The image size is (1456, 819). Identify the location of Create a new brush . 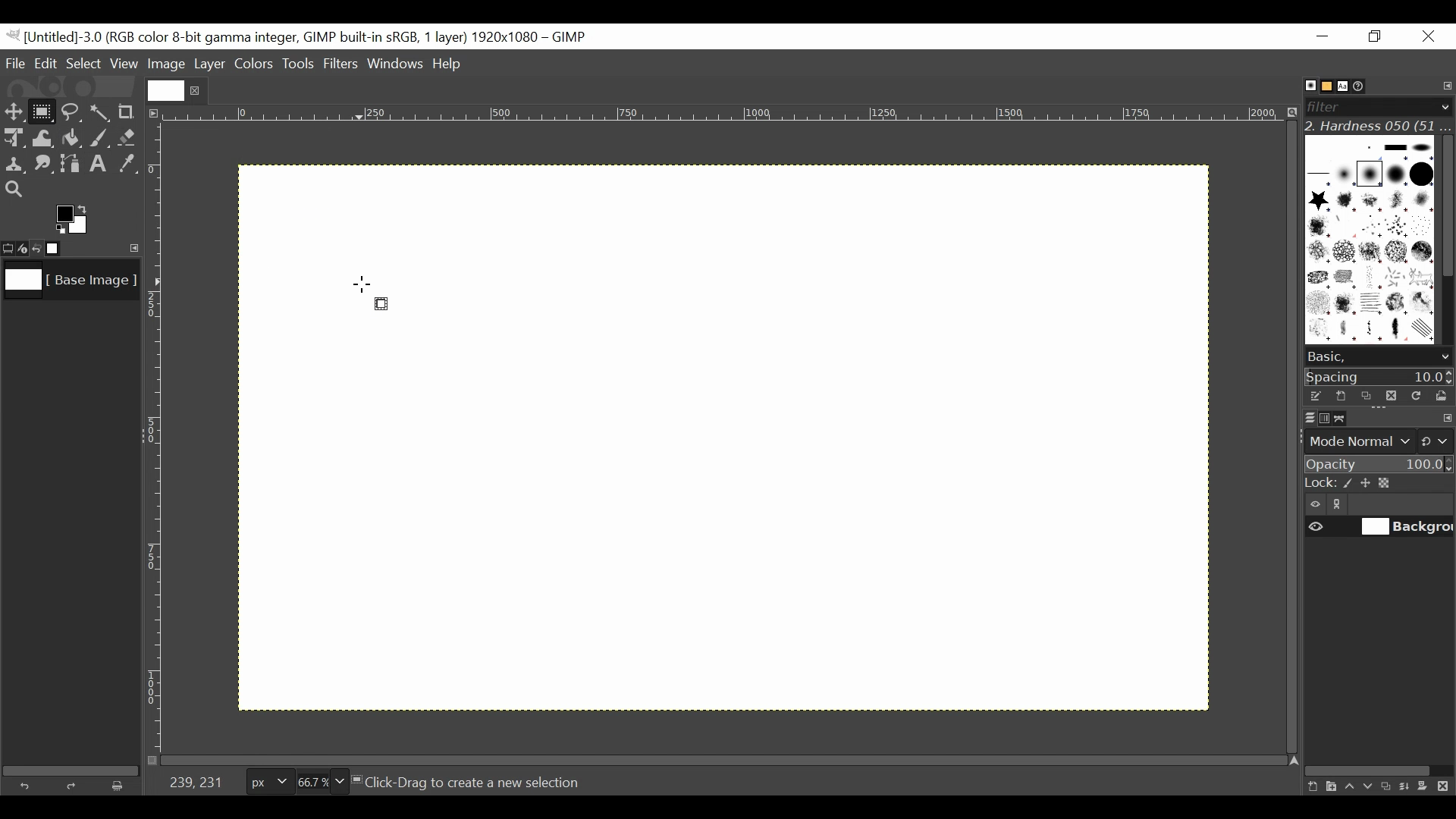
(1340, 396).